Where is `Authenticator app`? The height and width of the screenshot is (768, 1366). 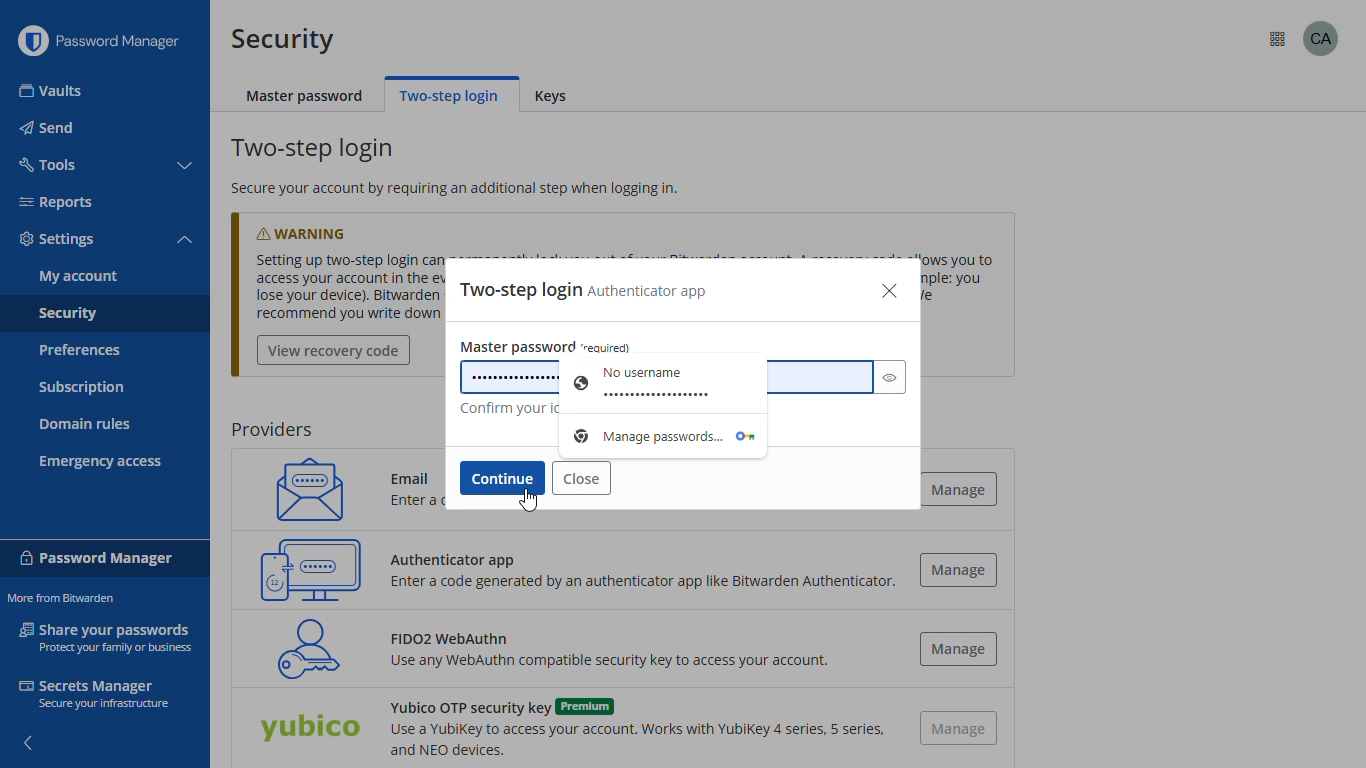 Authenticator app is located at coordinates (458, 557).